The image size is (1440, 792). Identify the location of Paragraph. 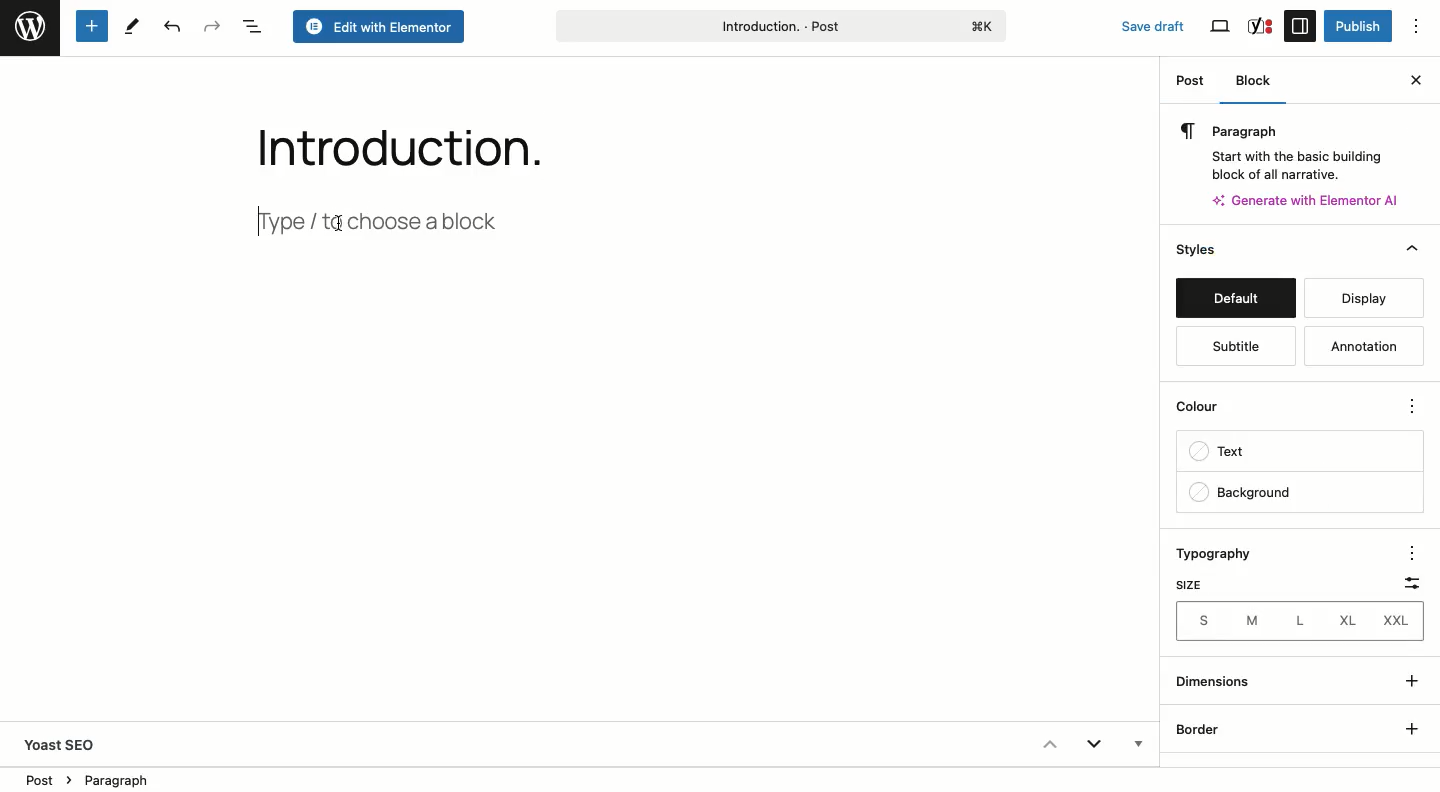
(1292, 148).